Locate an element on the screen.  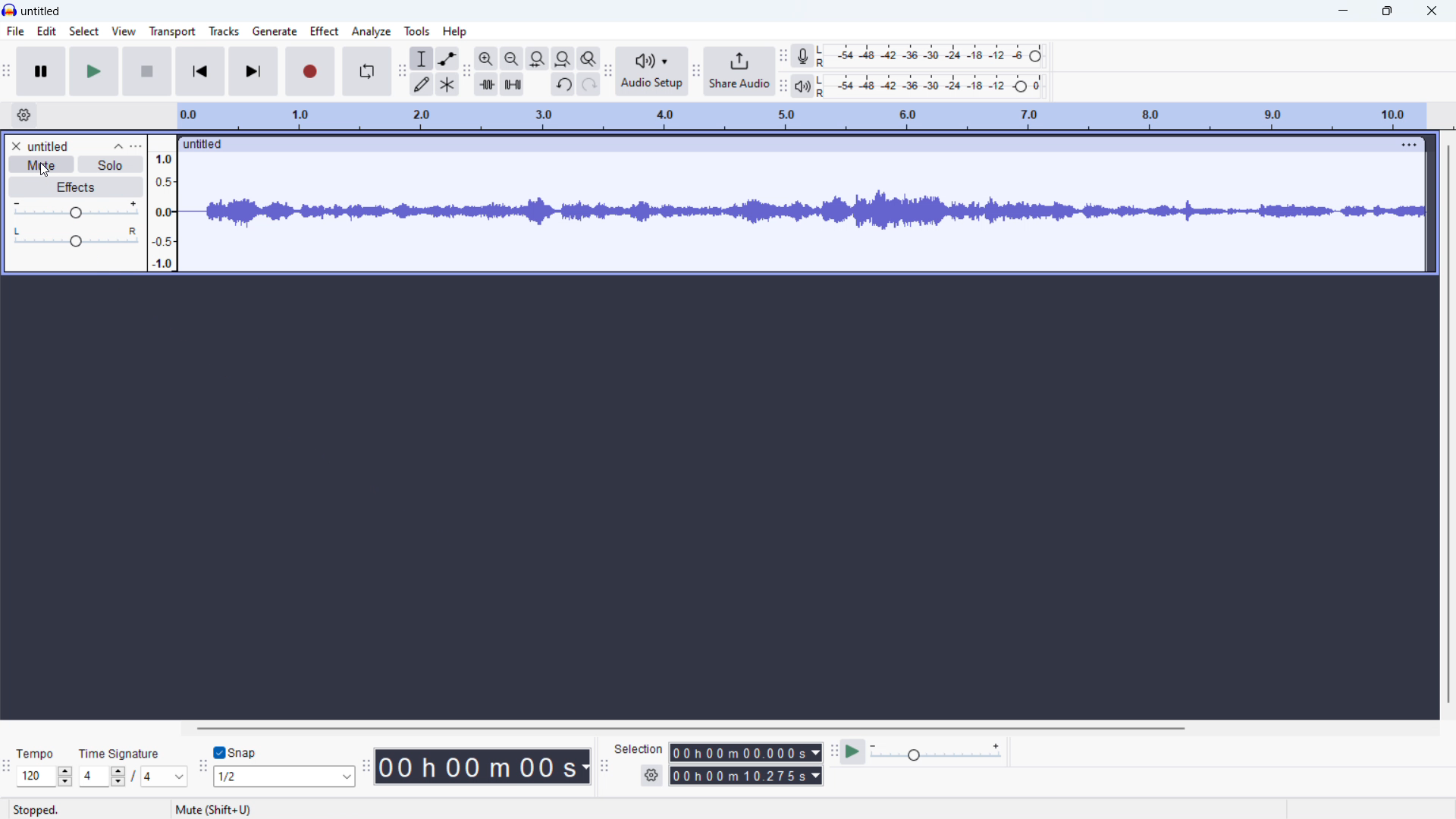
stop is located at coordinates (147, 71).